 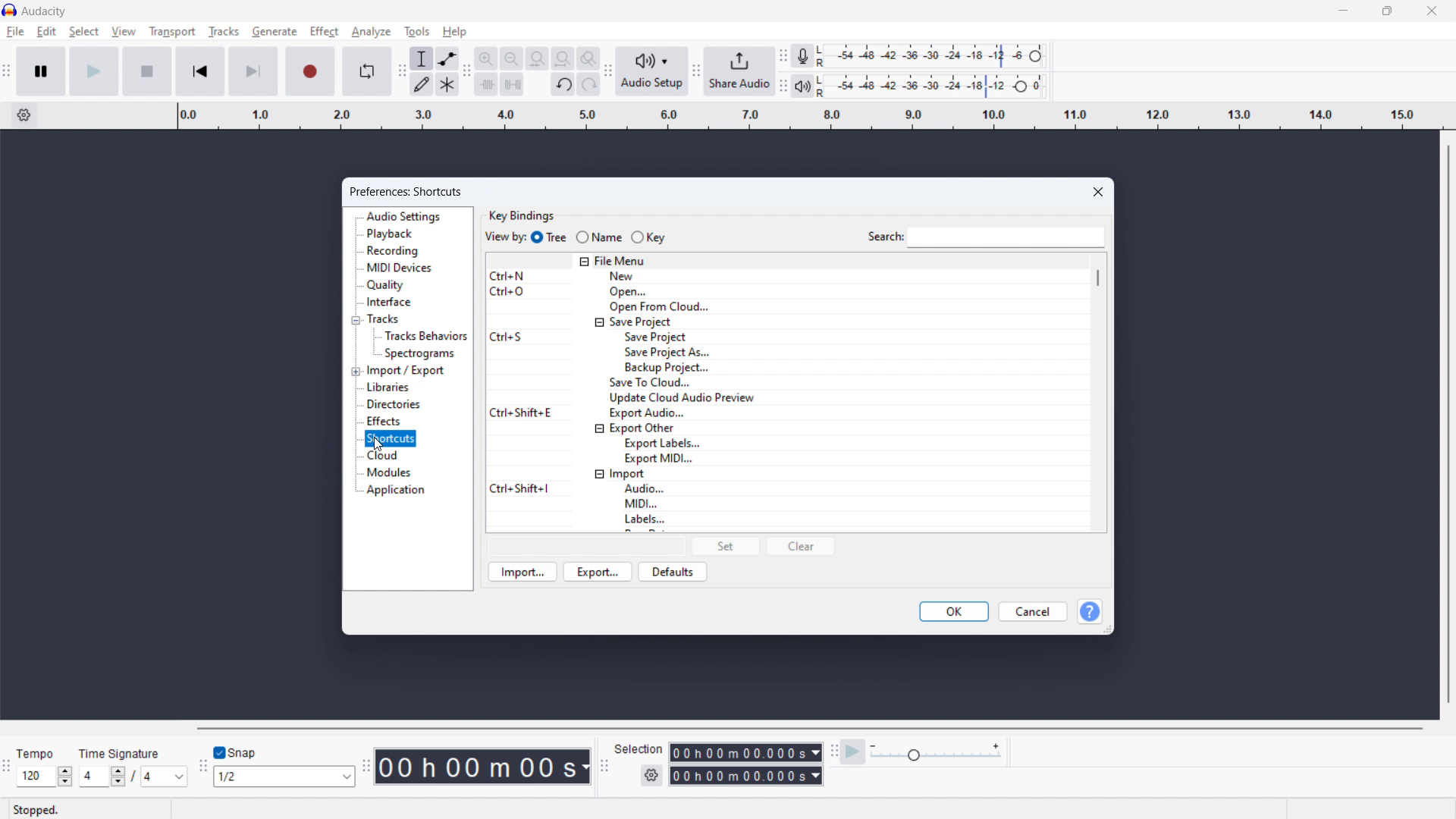 What do you see at coordinates (522, 572) in the screenshot?
I see `import` at bounding box center [522, 572].